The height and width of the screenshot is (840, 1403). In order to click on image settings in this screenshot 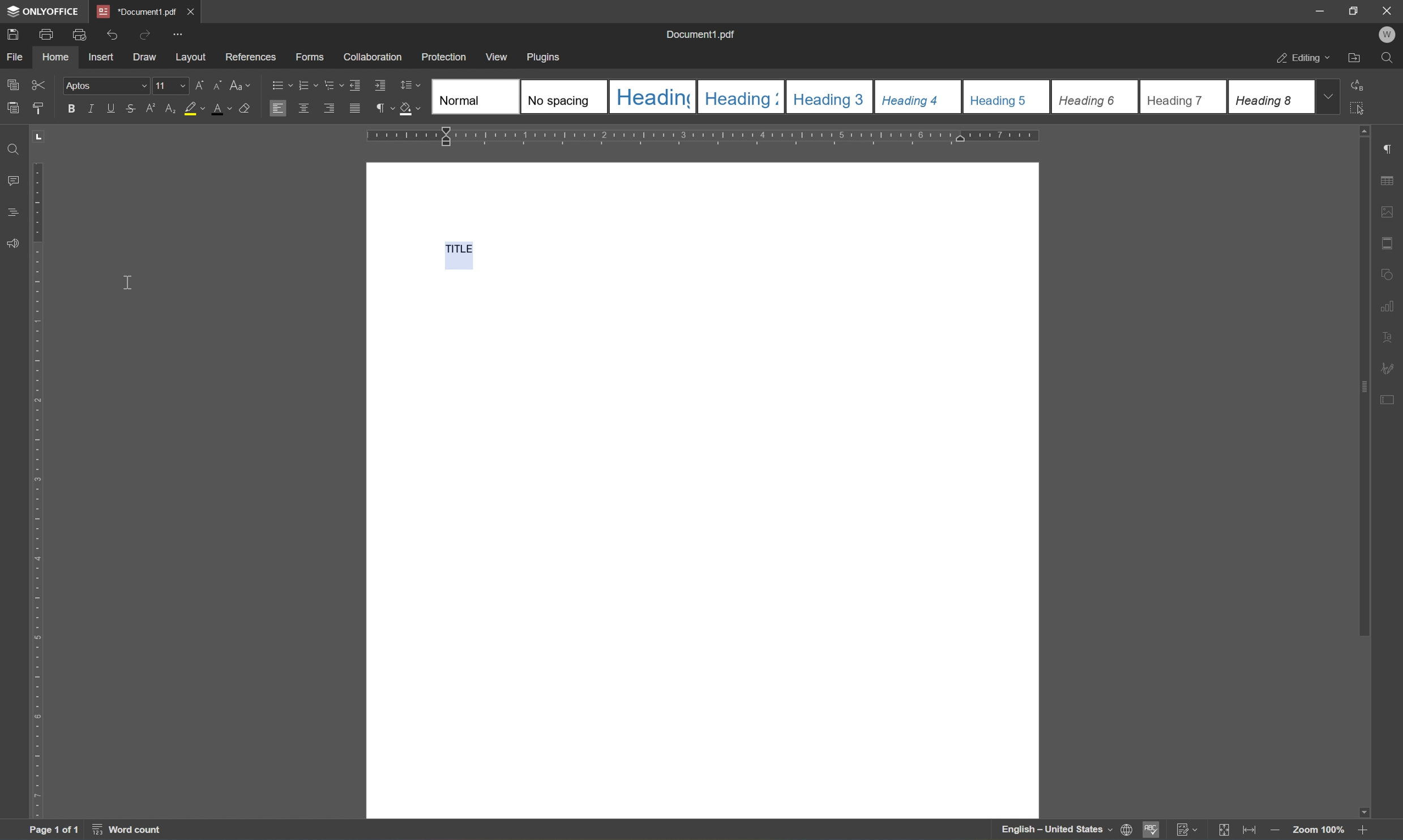, I will do `click(1391, 212)`.